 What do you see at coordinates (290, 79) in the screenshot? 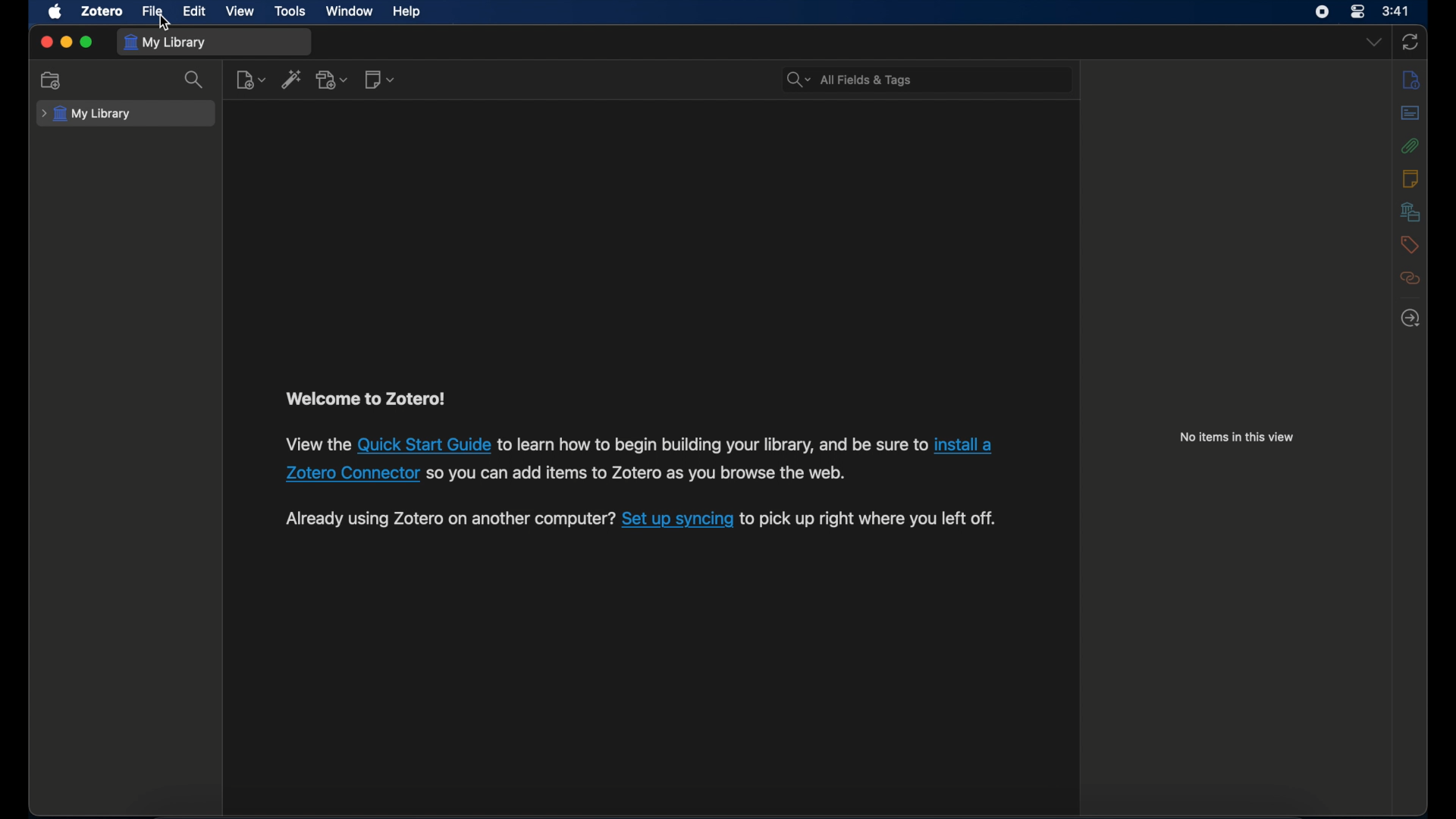
I see `add item by identifier` at bounding box center [290, 79].